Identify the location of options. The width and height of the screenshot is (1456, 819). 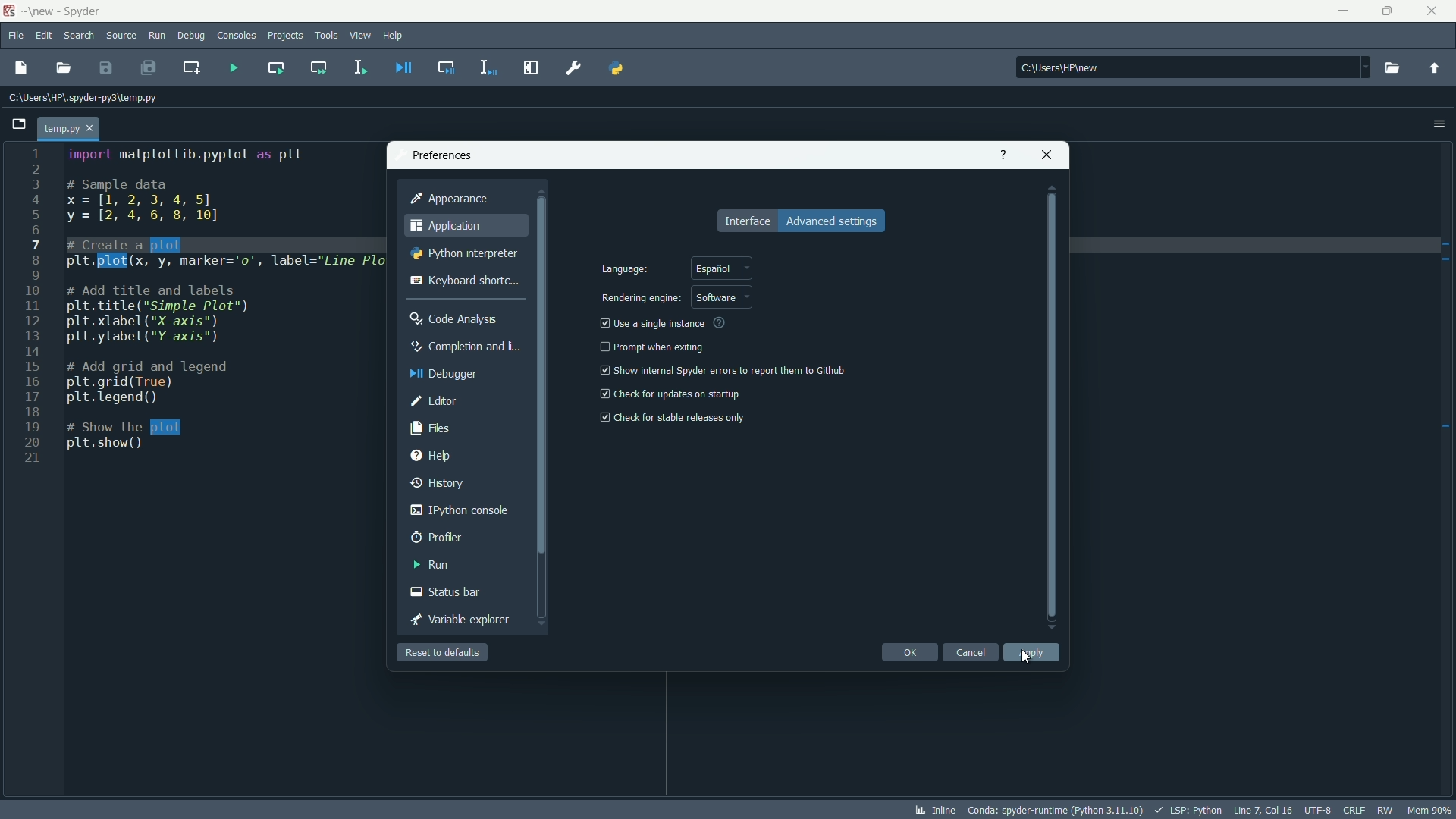
(1436, 124).